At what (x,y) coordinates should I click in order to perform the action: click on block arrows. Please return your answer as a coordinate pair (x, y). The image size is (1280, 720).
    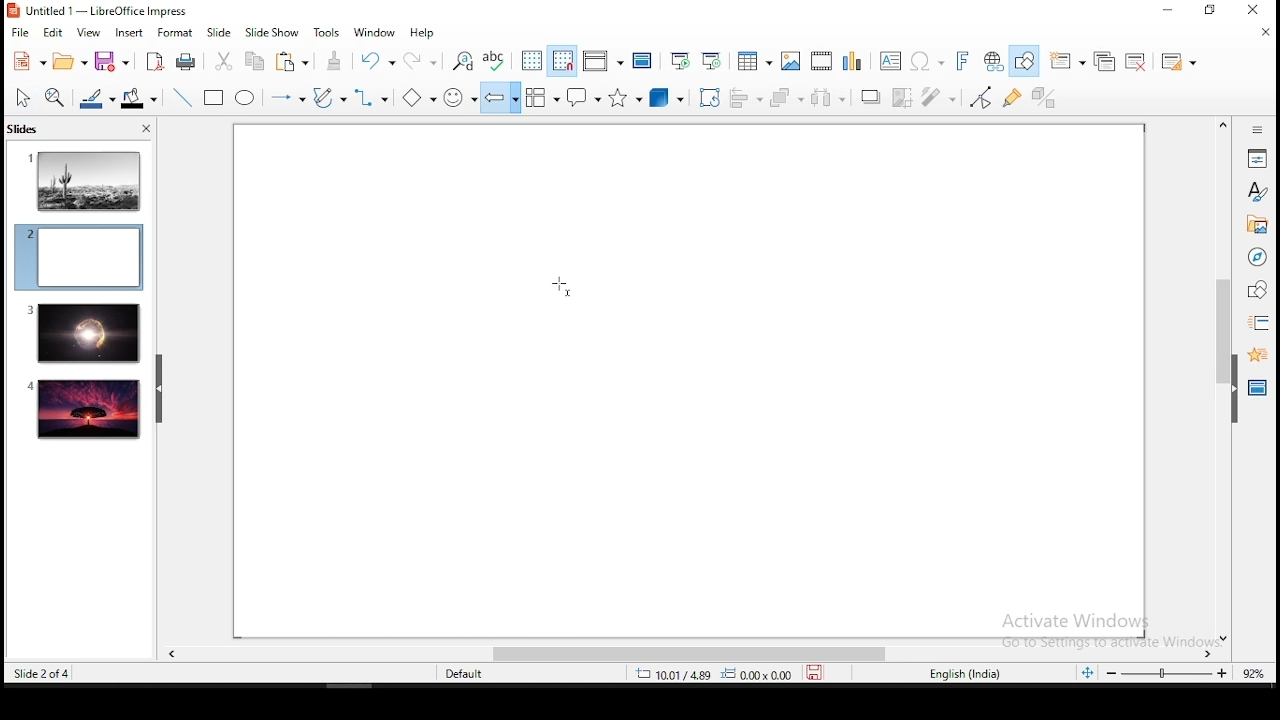
    Looking at the image, I should click on (501, 98).